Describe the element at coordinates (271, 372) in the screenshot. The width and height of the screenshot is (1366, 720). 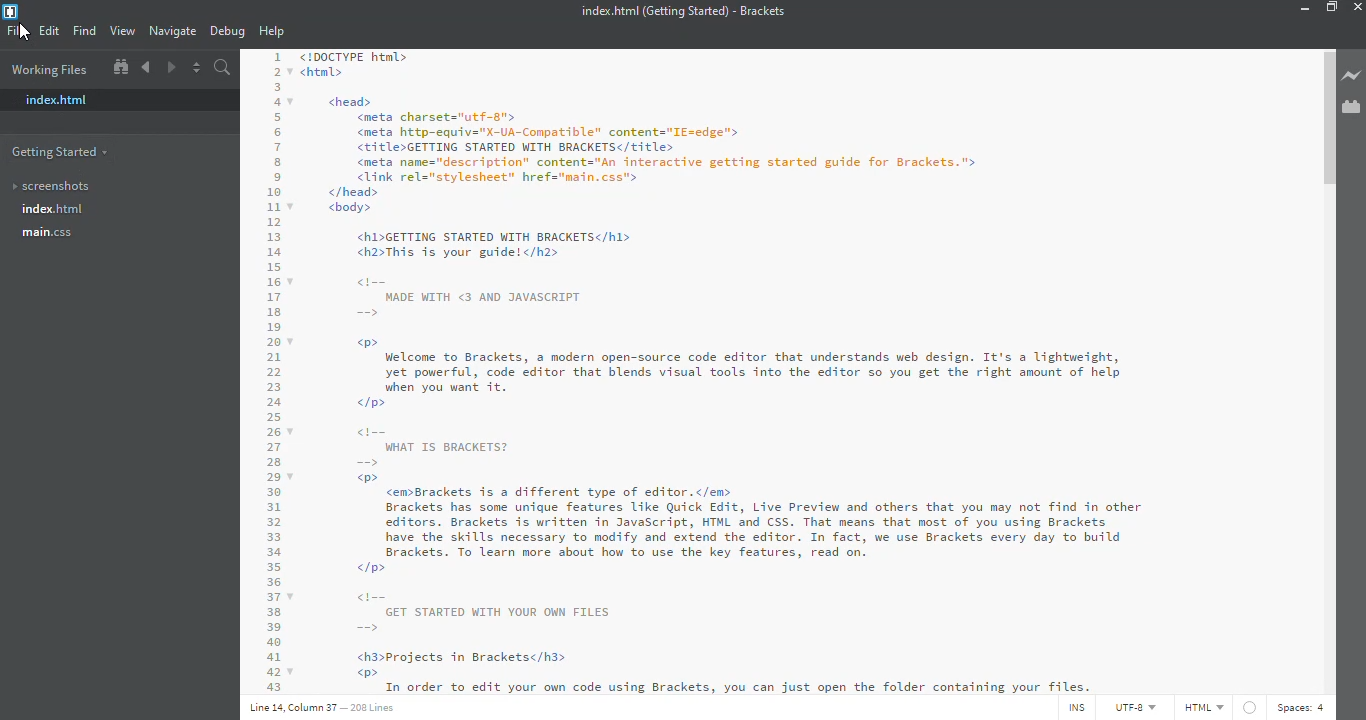
I see `code line` at that location.